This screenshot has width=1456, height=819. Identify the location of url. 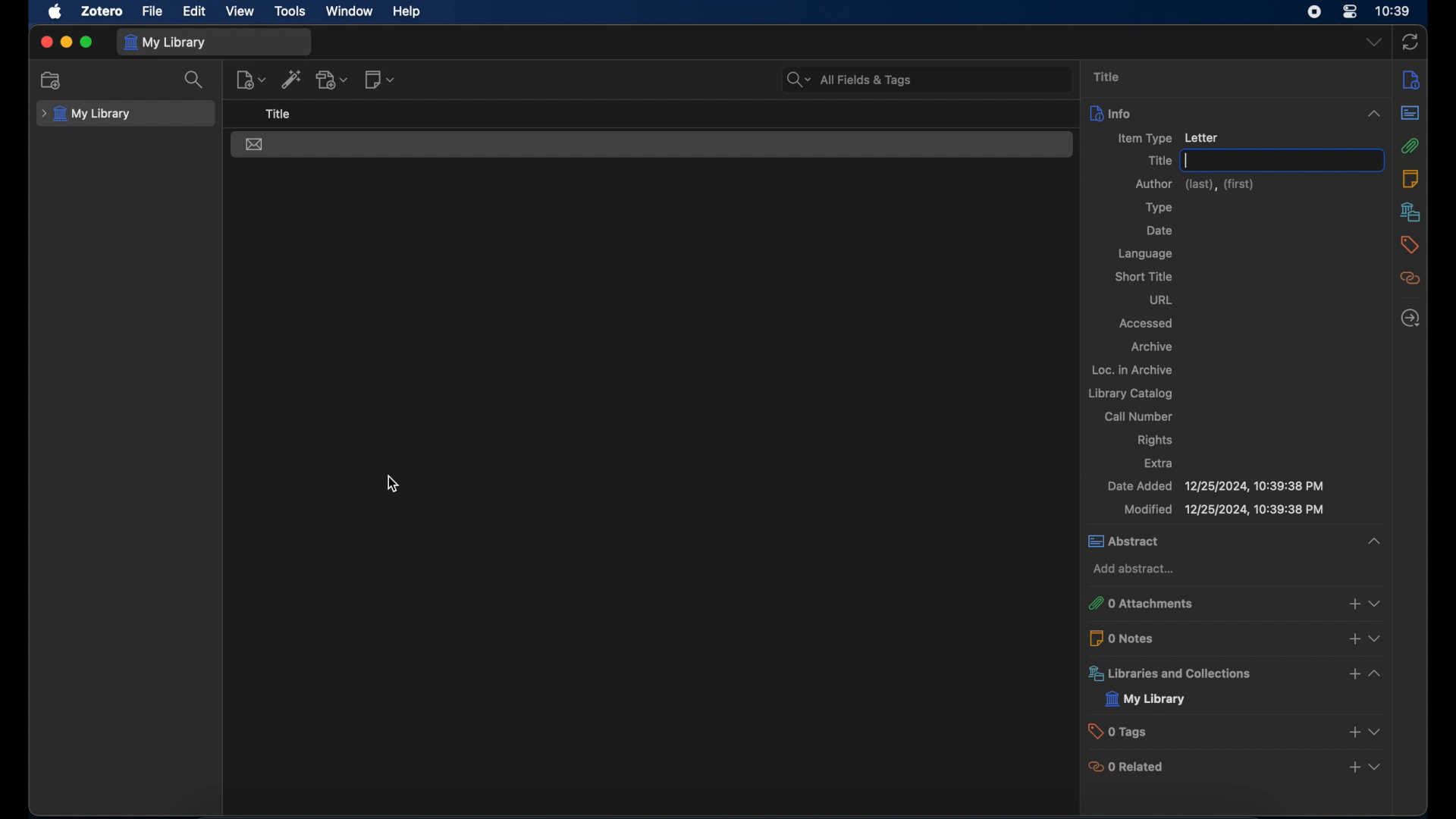
(1162, 300).